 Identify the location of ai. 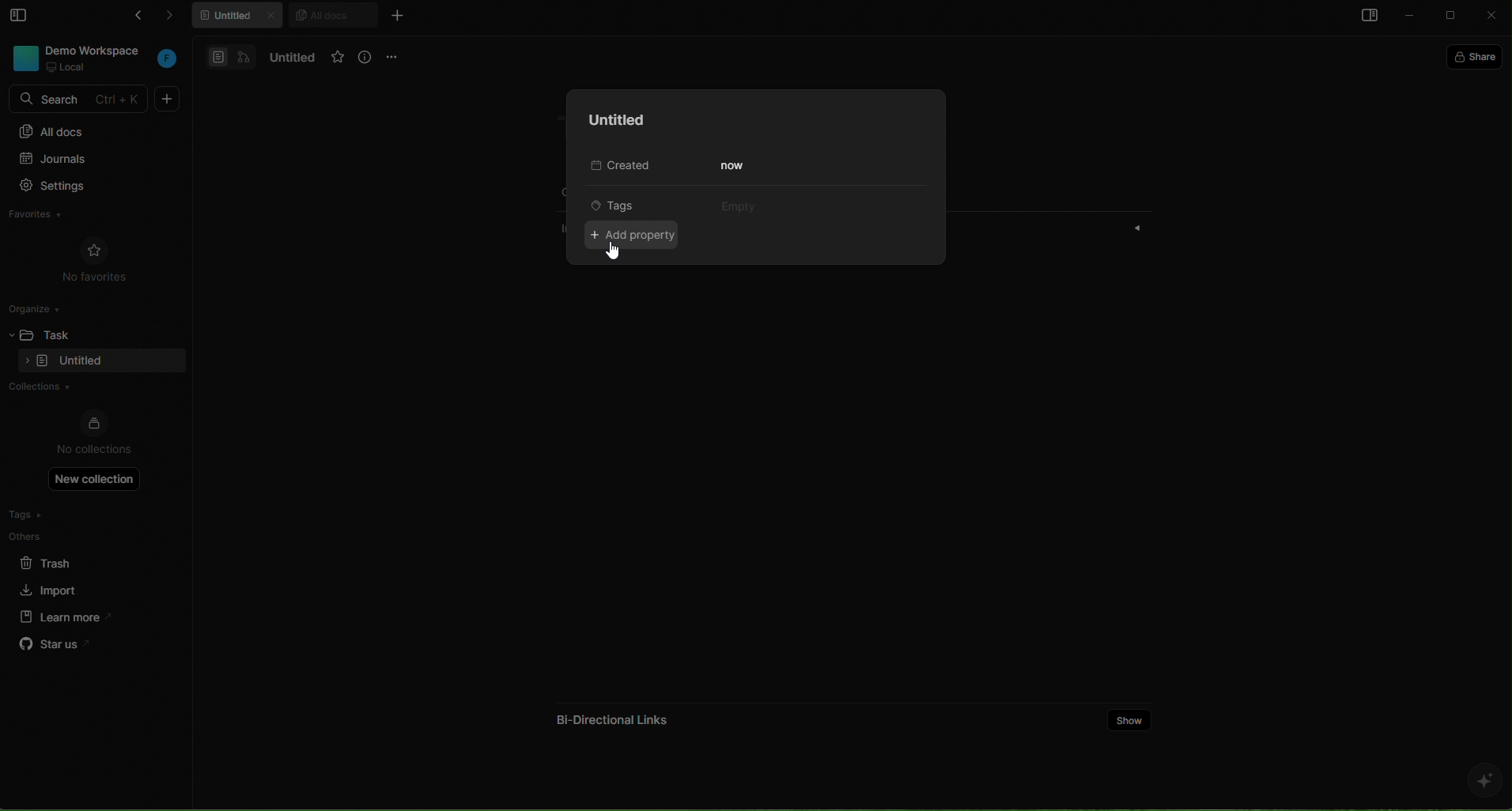
(1484, 780).